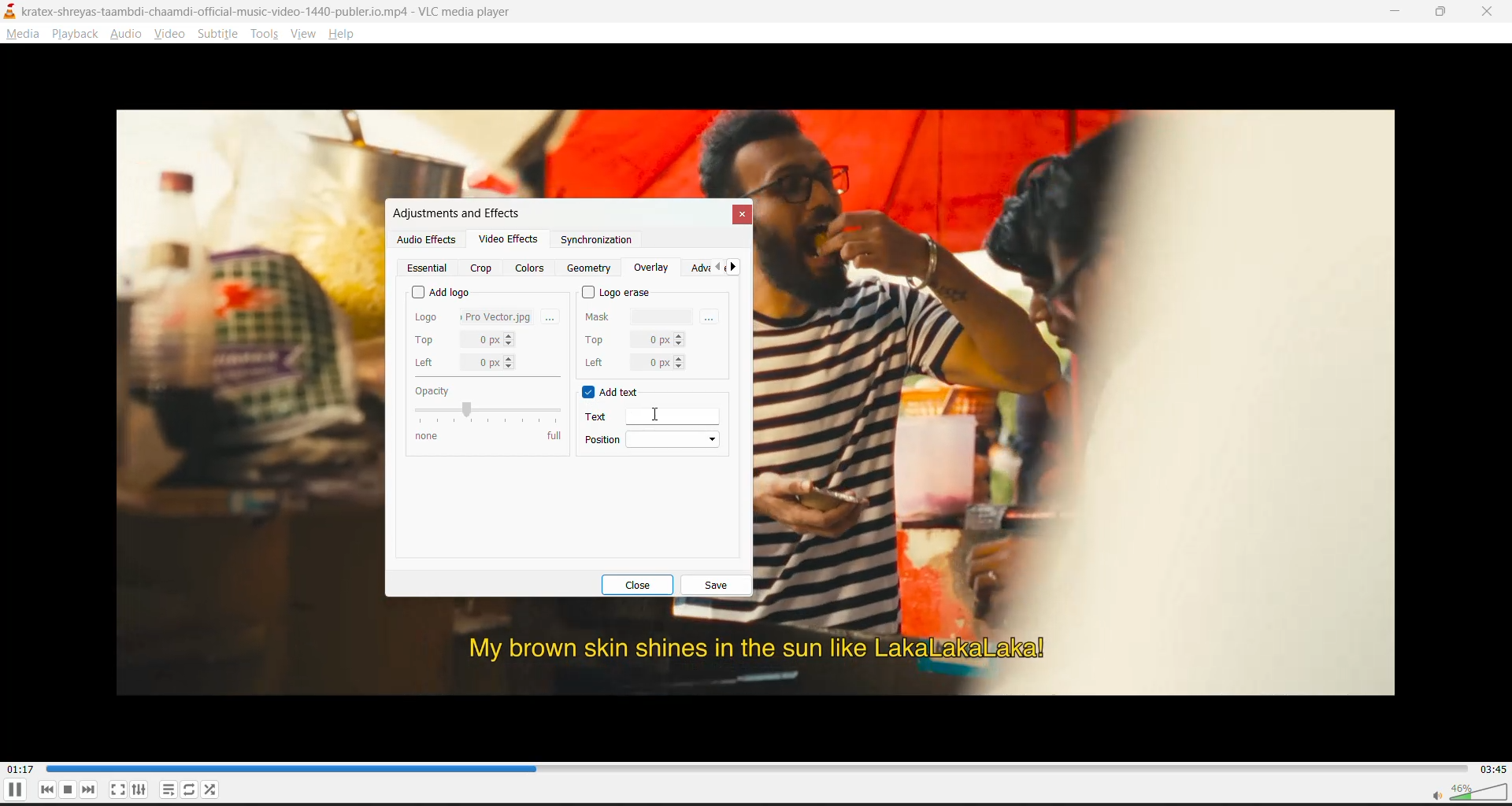  What do you see at coordinates (50, 789) in the screenshot?
I see `previous` at bounding box center [50, 789].